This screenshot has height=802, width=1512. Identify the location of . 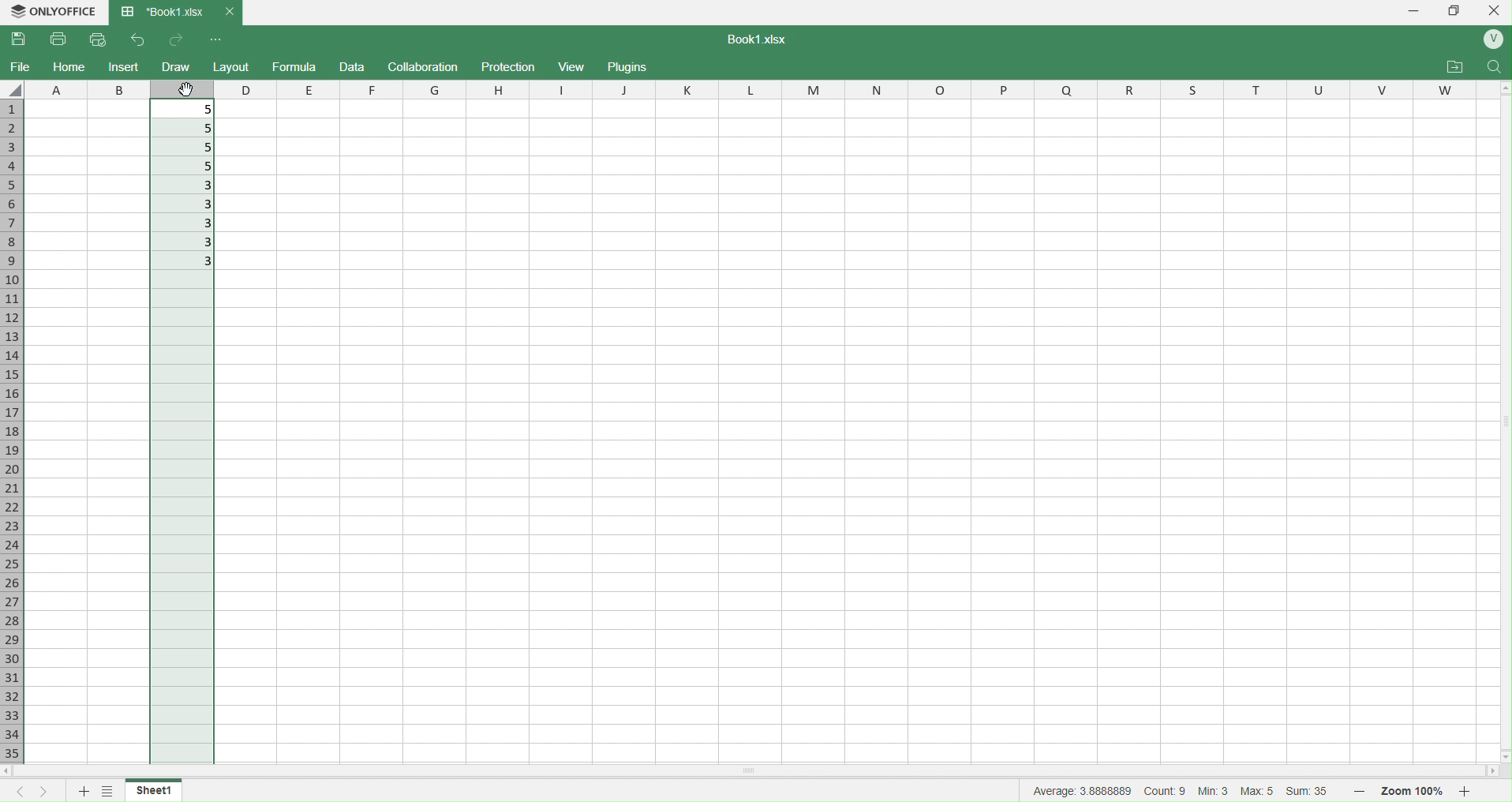
(1503, 752).